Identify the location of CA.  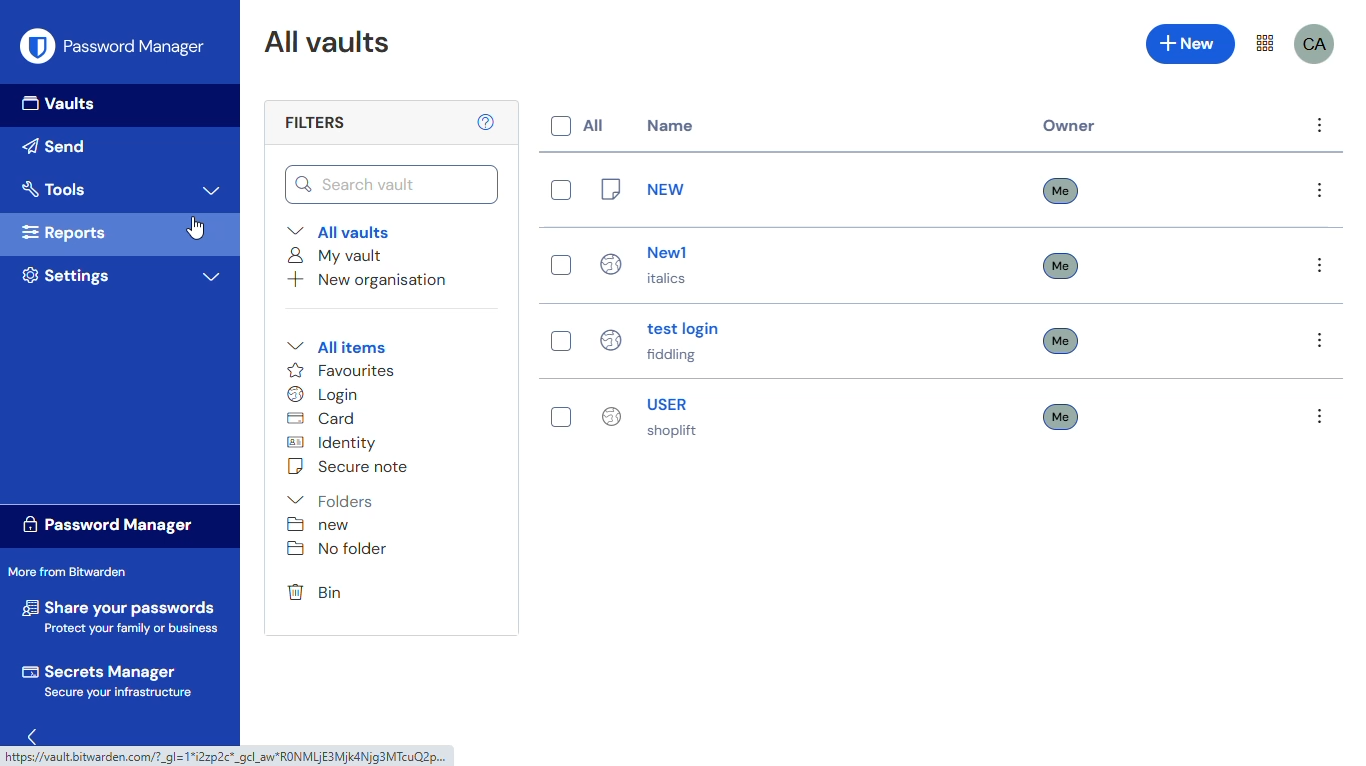
(1316, 44).